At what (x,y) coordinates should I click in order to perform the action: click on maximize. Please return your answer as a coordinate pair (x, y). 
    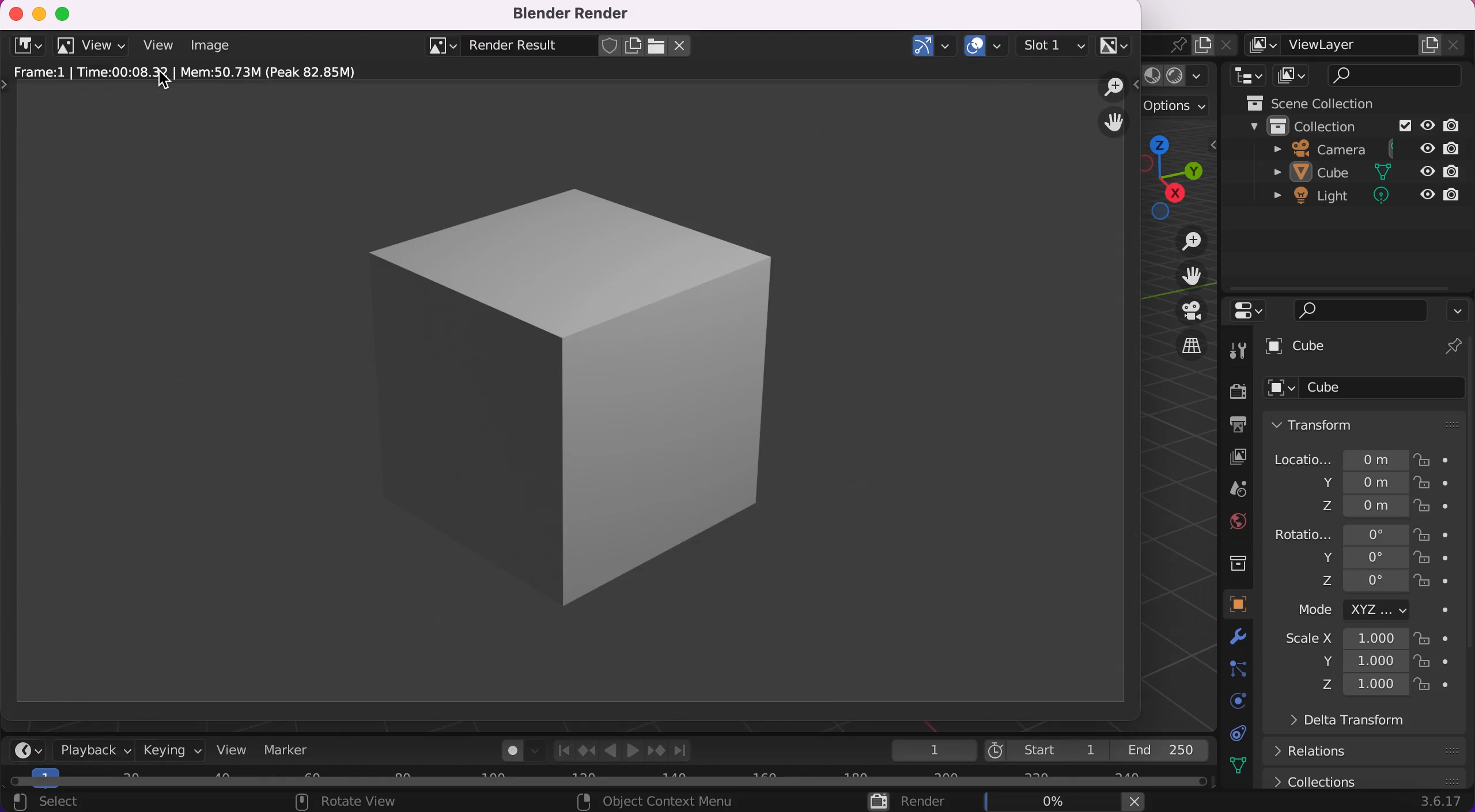
    Looking at the image, I should click on (61, 14).